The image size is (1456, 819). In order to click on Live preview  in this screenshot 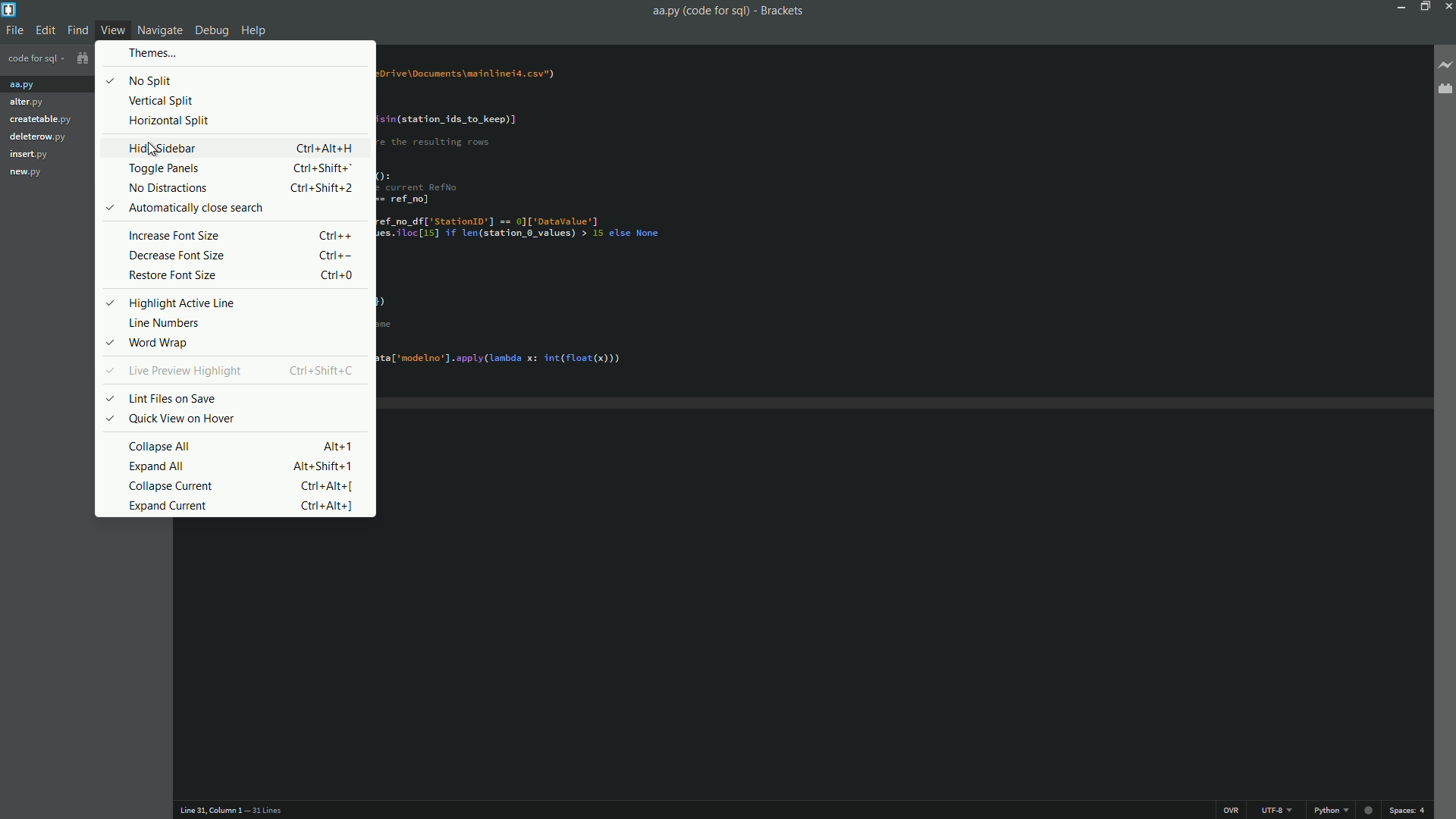, I will do `click(1368, 810)`.